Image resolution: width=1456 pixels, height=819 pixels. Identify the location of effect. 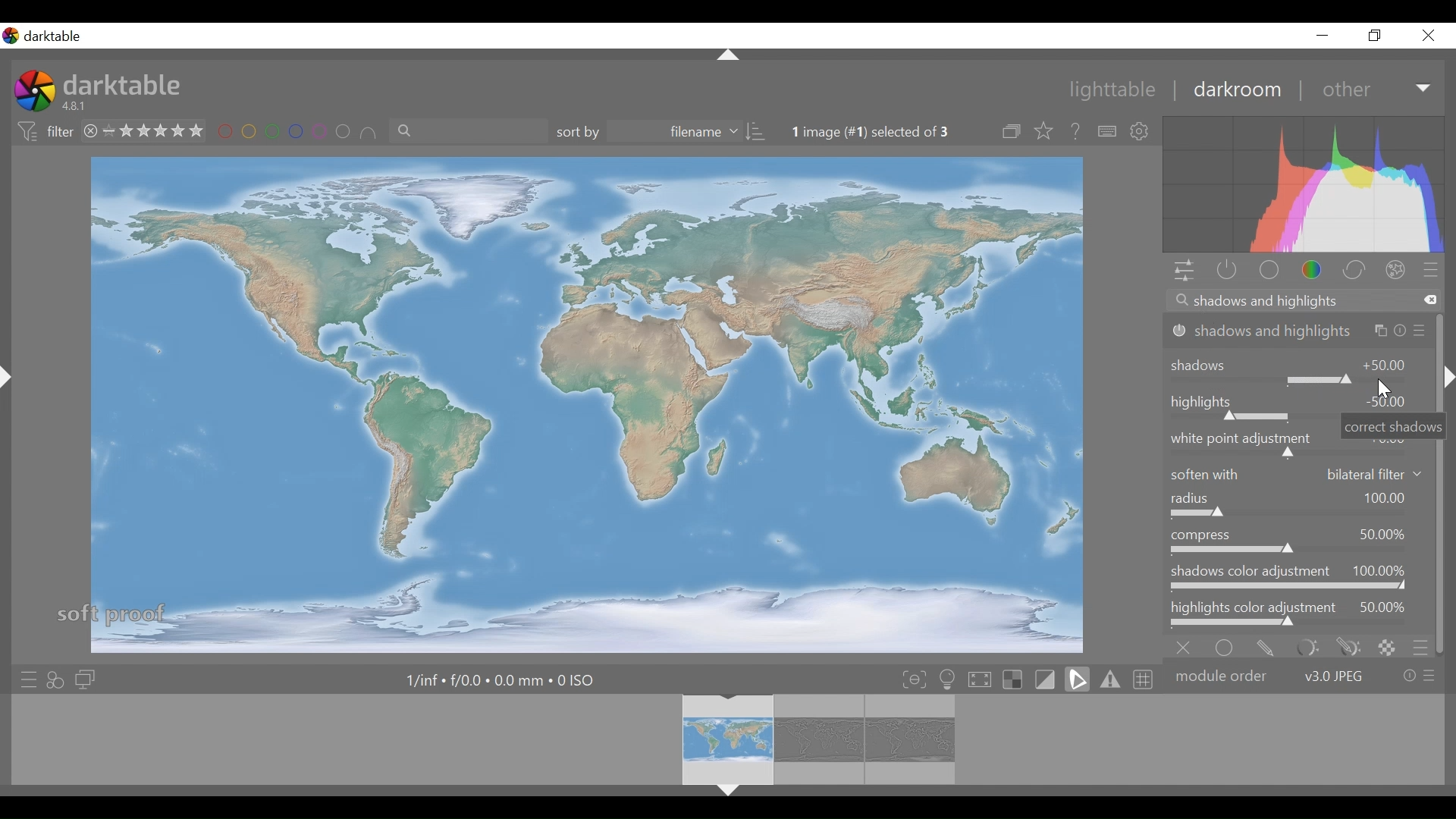
(1398, 269).